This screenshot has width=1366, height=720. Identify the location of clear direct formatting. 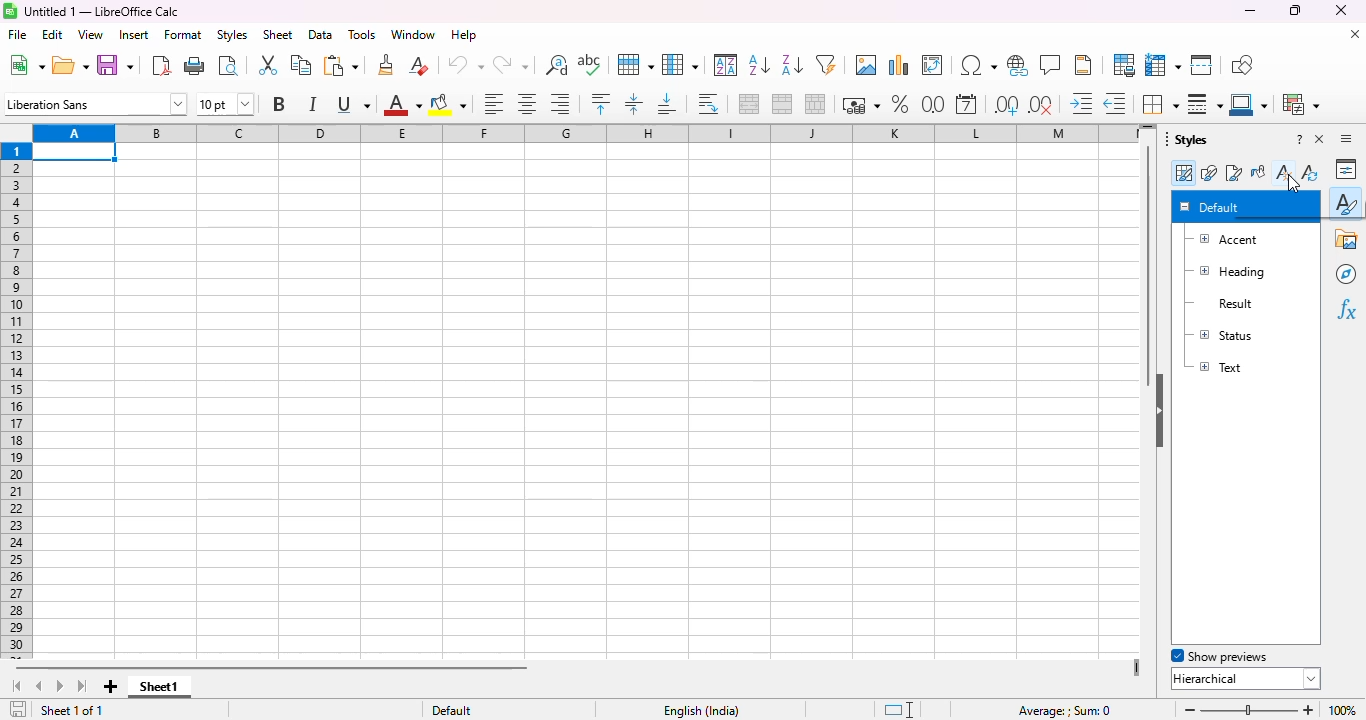
(418, 64).